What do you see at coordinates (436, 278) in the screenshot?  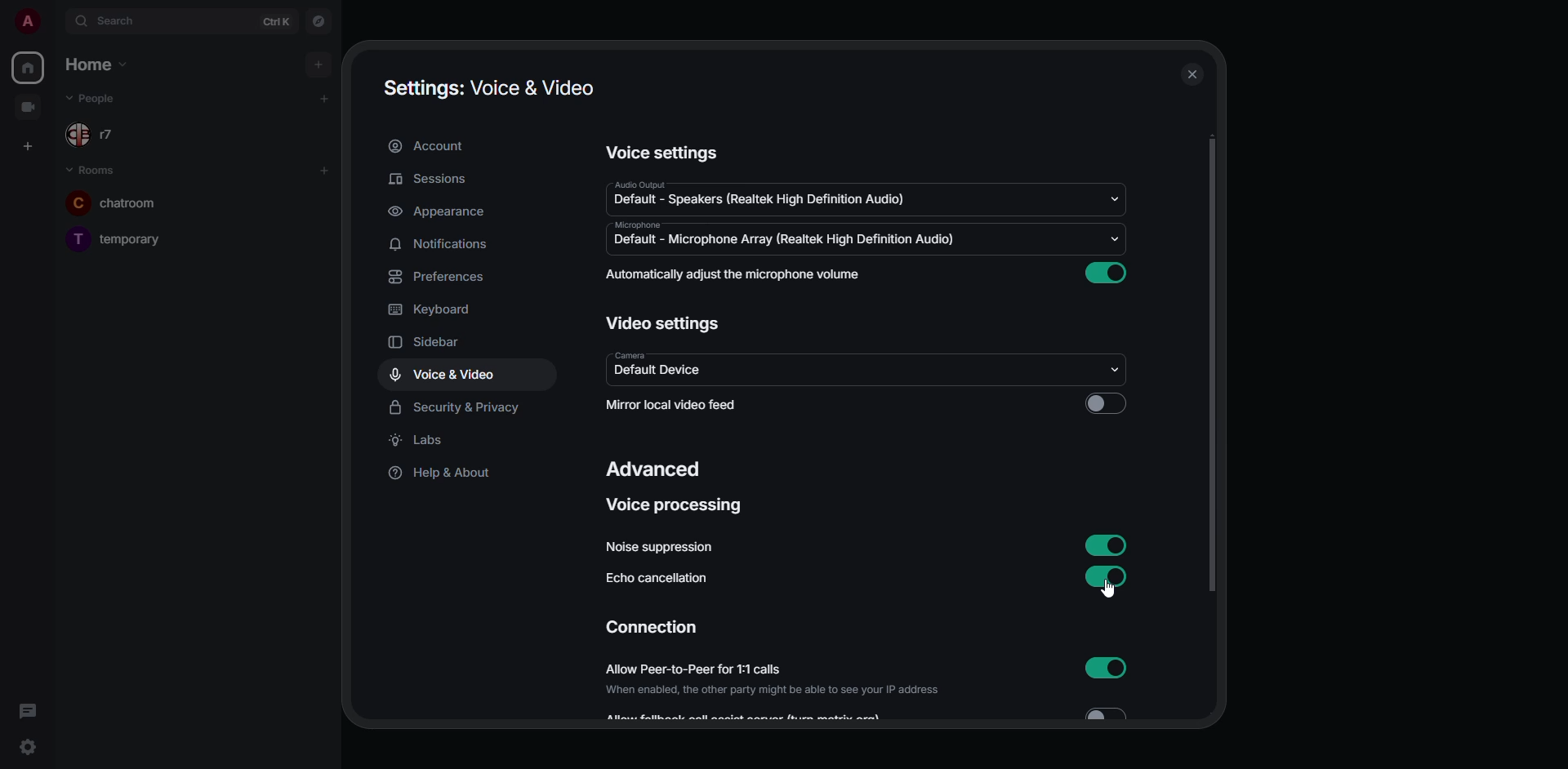 I see `preferences` at bounding box center [436, 278].